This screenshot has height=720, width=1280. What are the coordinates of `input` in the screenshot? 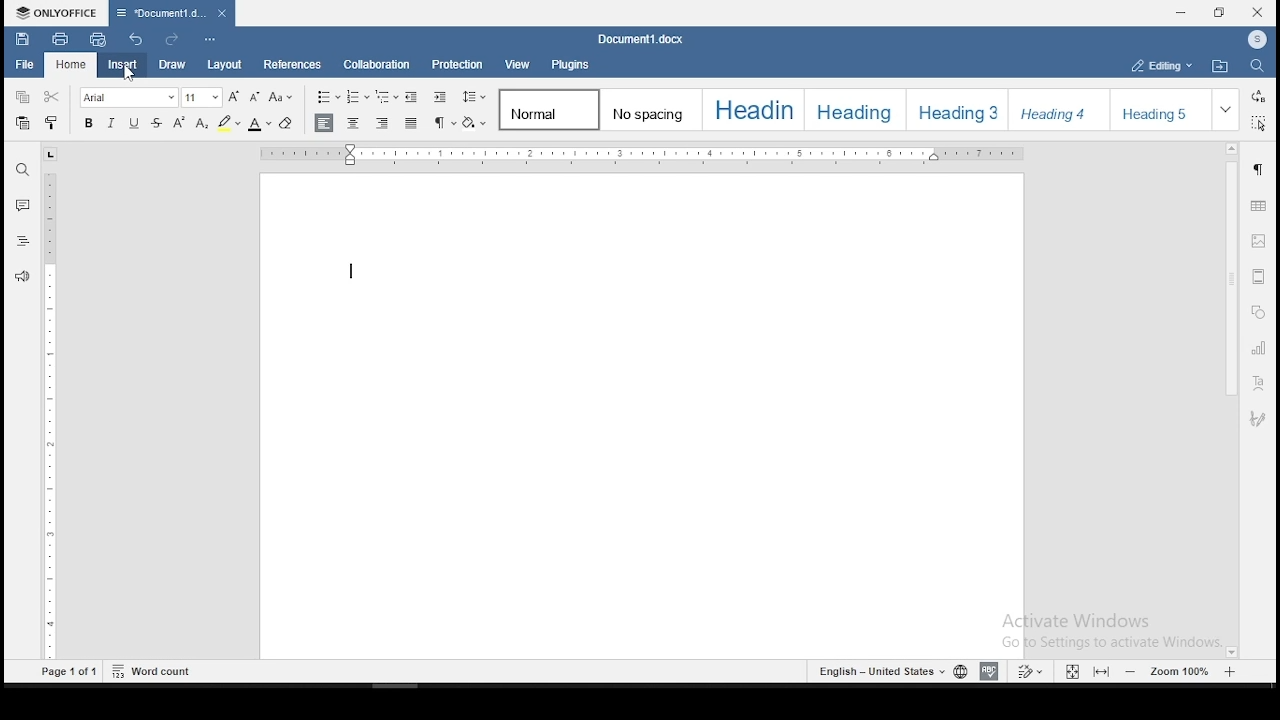 It's located at (122, 65).